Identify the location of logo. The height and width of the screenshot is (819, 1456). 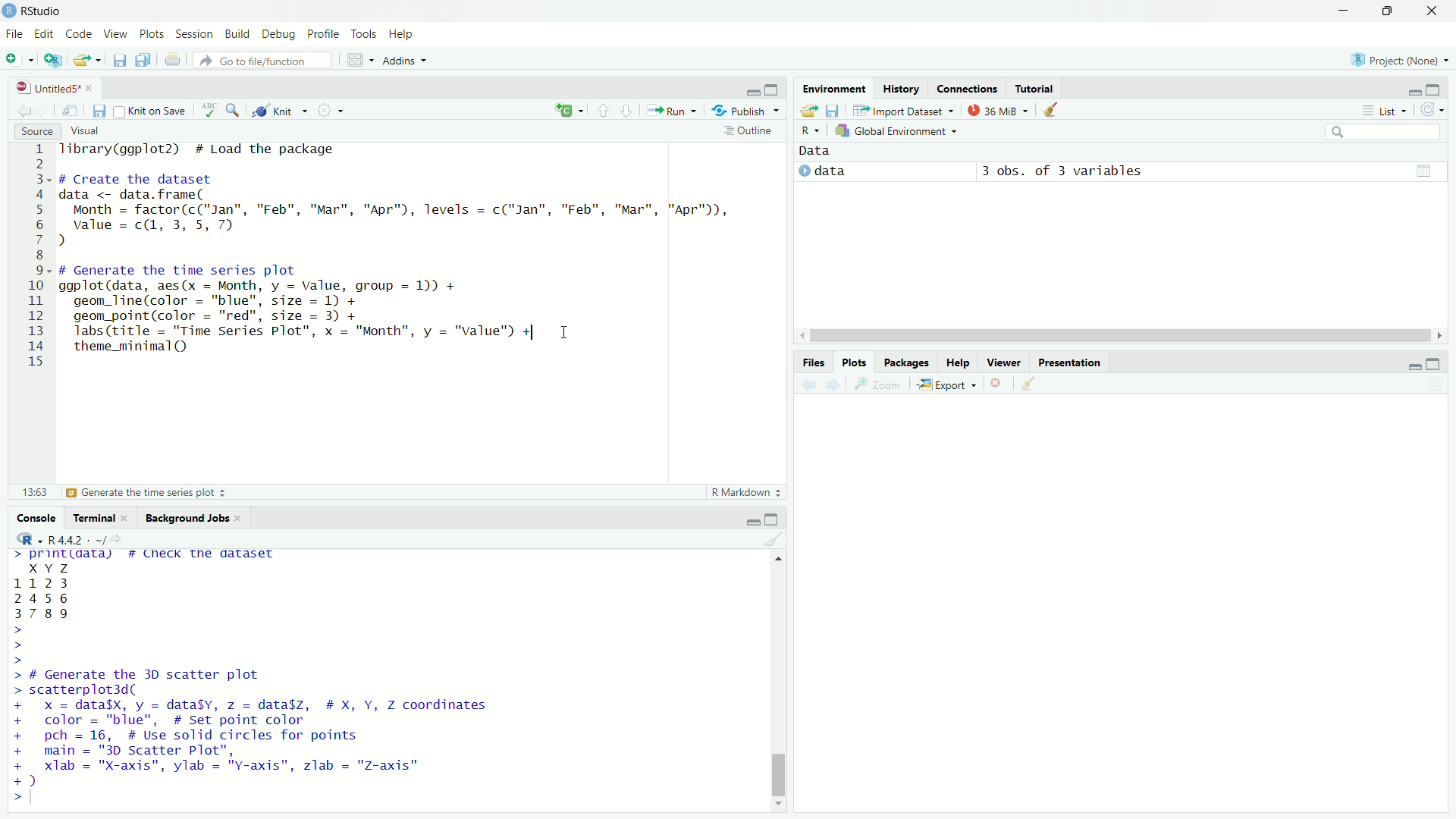
(9, 11).